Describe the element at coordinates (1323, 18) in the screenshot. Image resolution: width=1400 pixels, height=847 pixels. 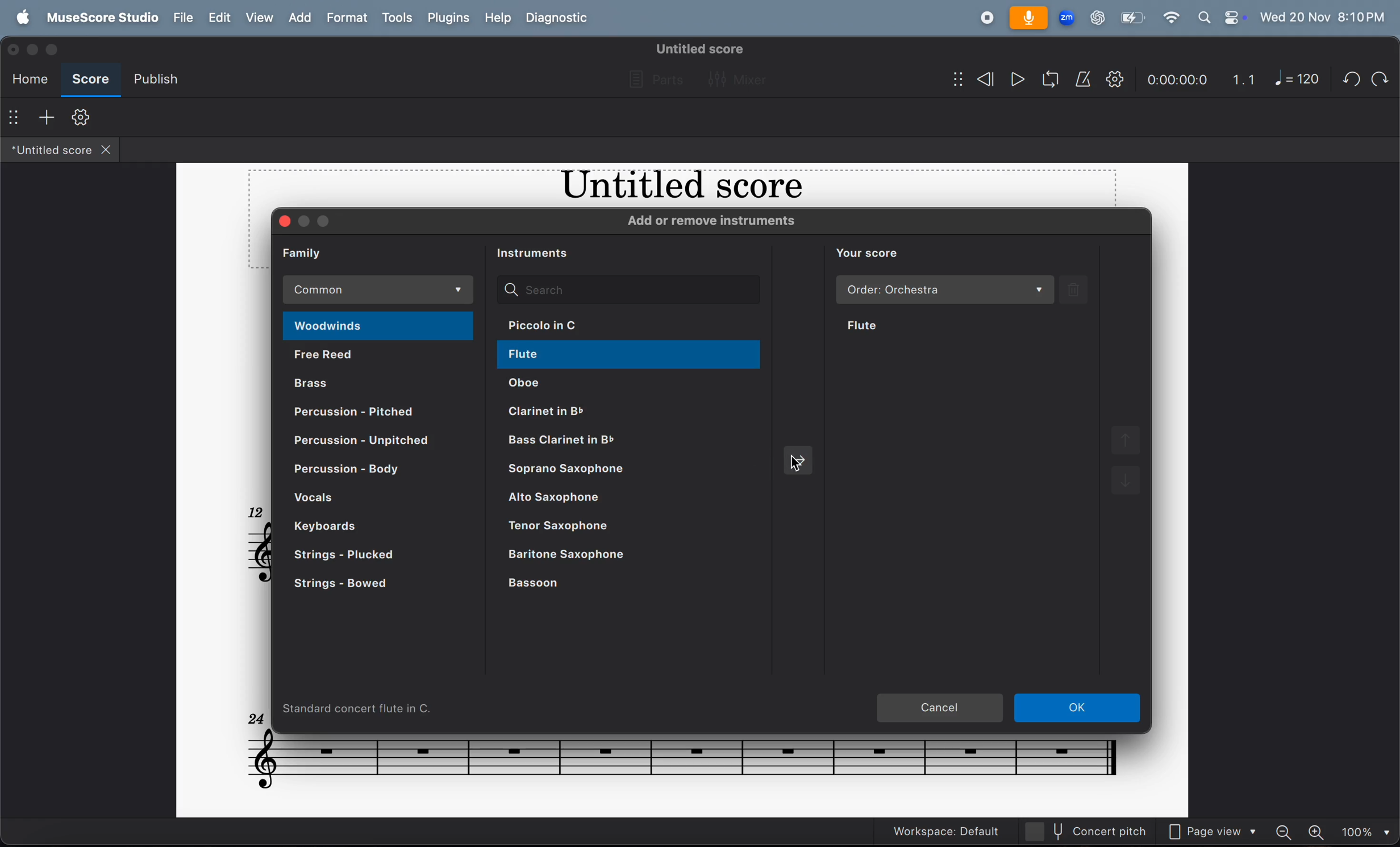
I see `date and time` at that location.